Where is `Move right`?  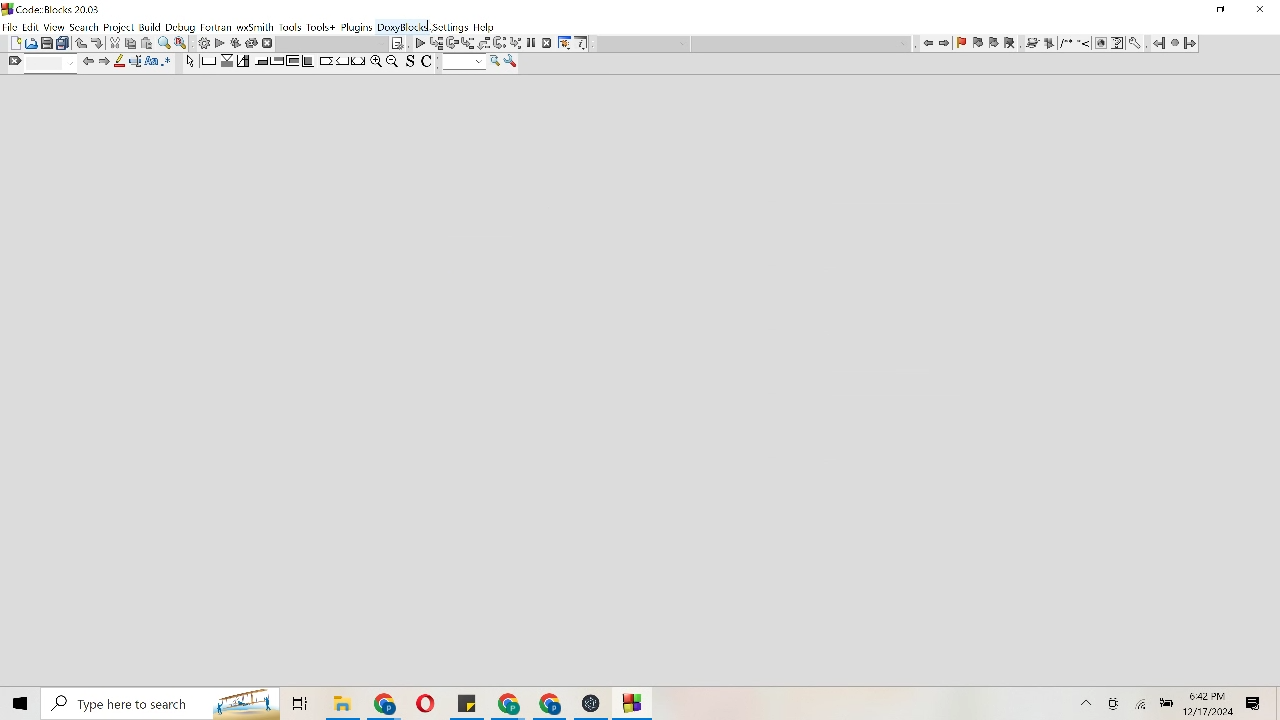
Move right is located at coordinates (105, 61).